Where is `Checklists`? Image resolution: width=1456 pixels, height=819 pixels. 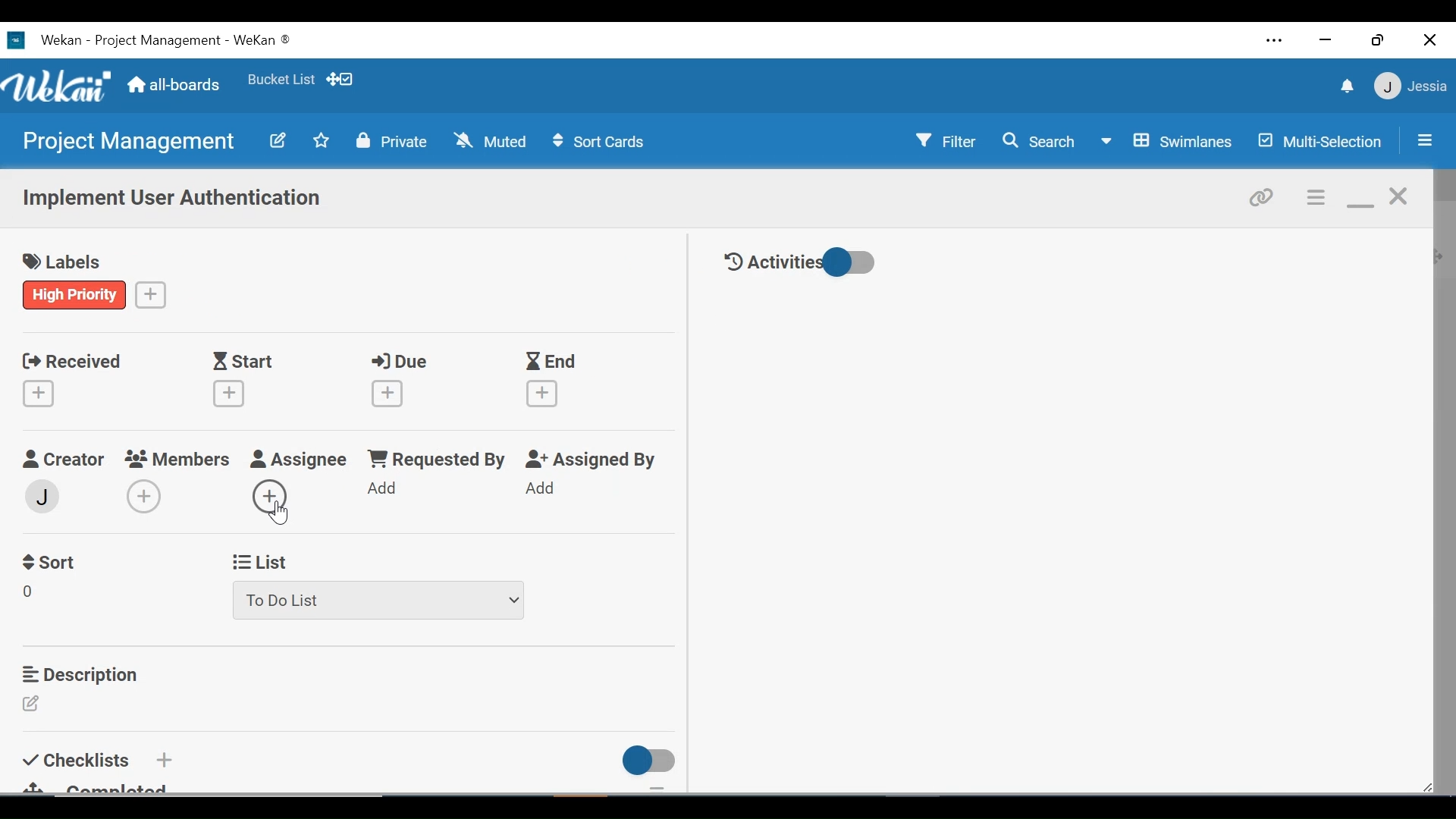
Checklists is located at coordinates (79, 758).